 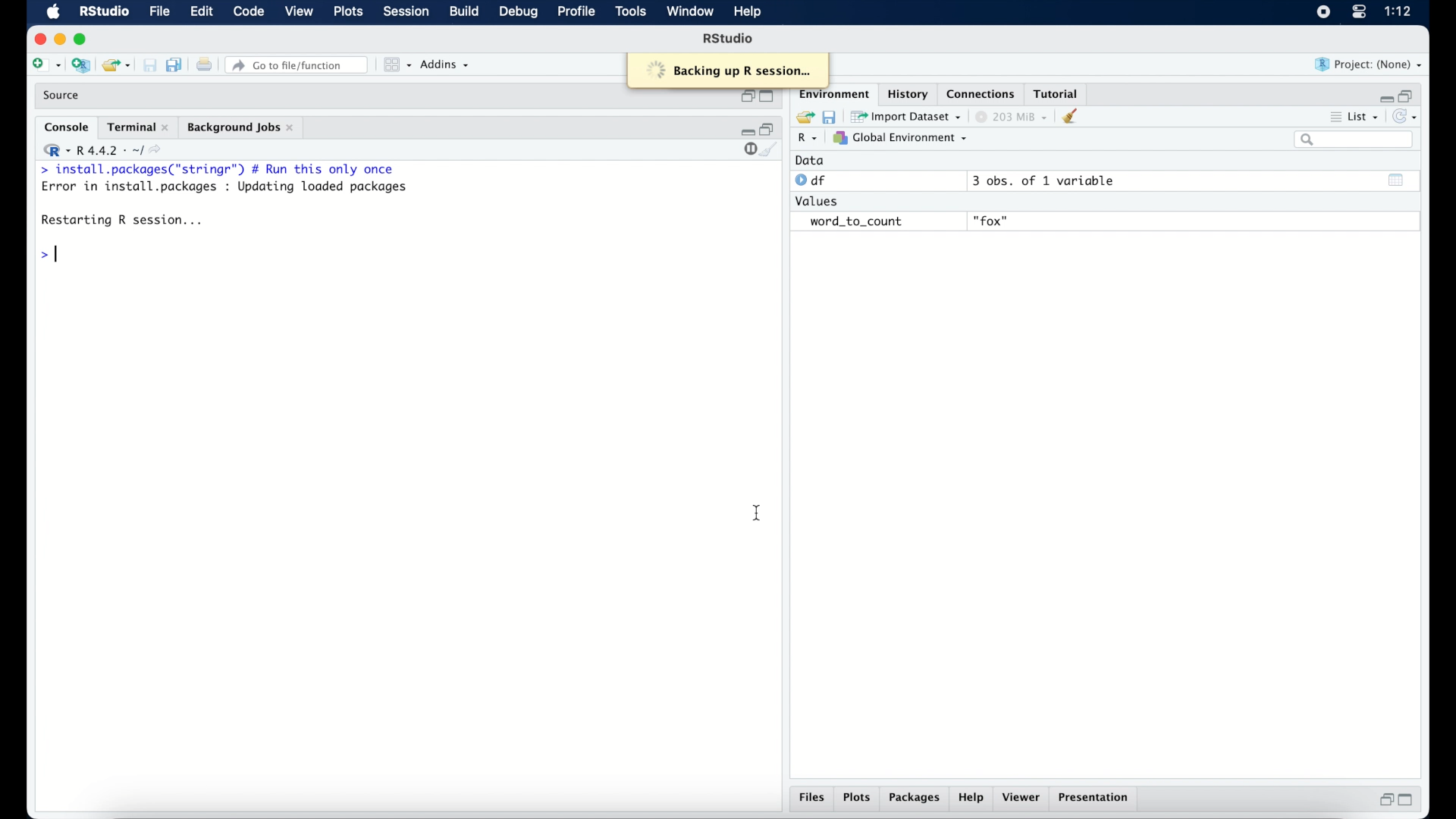 I want to click on session, so click(x=405, y=12).